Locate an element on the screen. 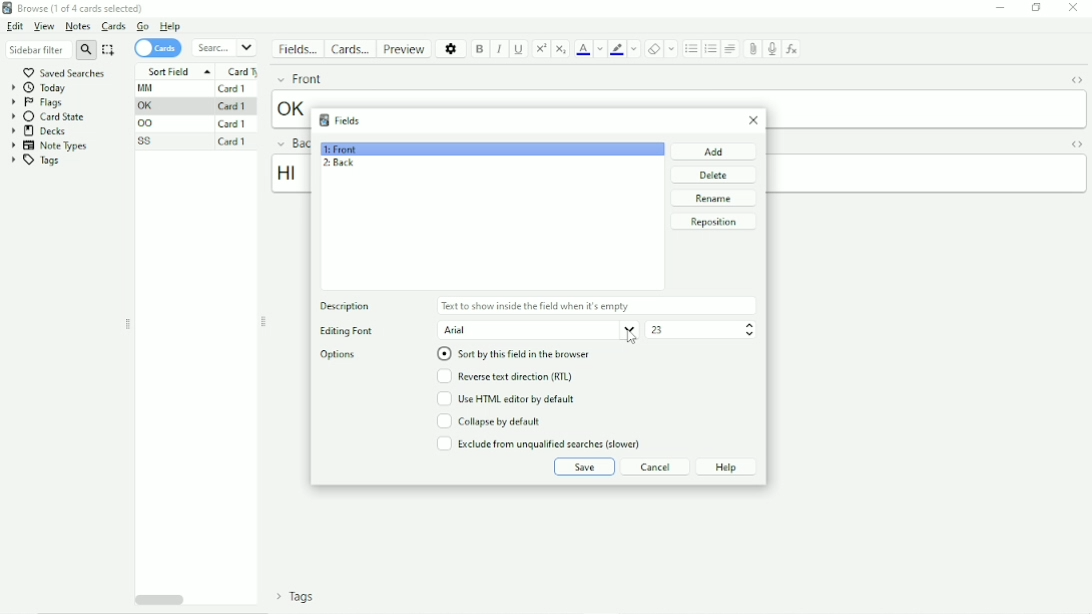 The width and height of the screenshot is (1092, 614). Saved searches is located at coordinates (71, 72).